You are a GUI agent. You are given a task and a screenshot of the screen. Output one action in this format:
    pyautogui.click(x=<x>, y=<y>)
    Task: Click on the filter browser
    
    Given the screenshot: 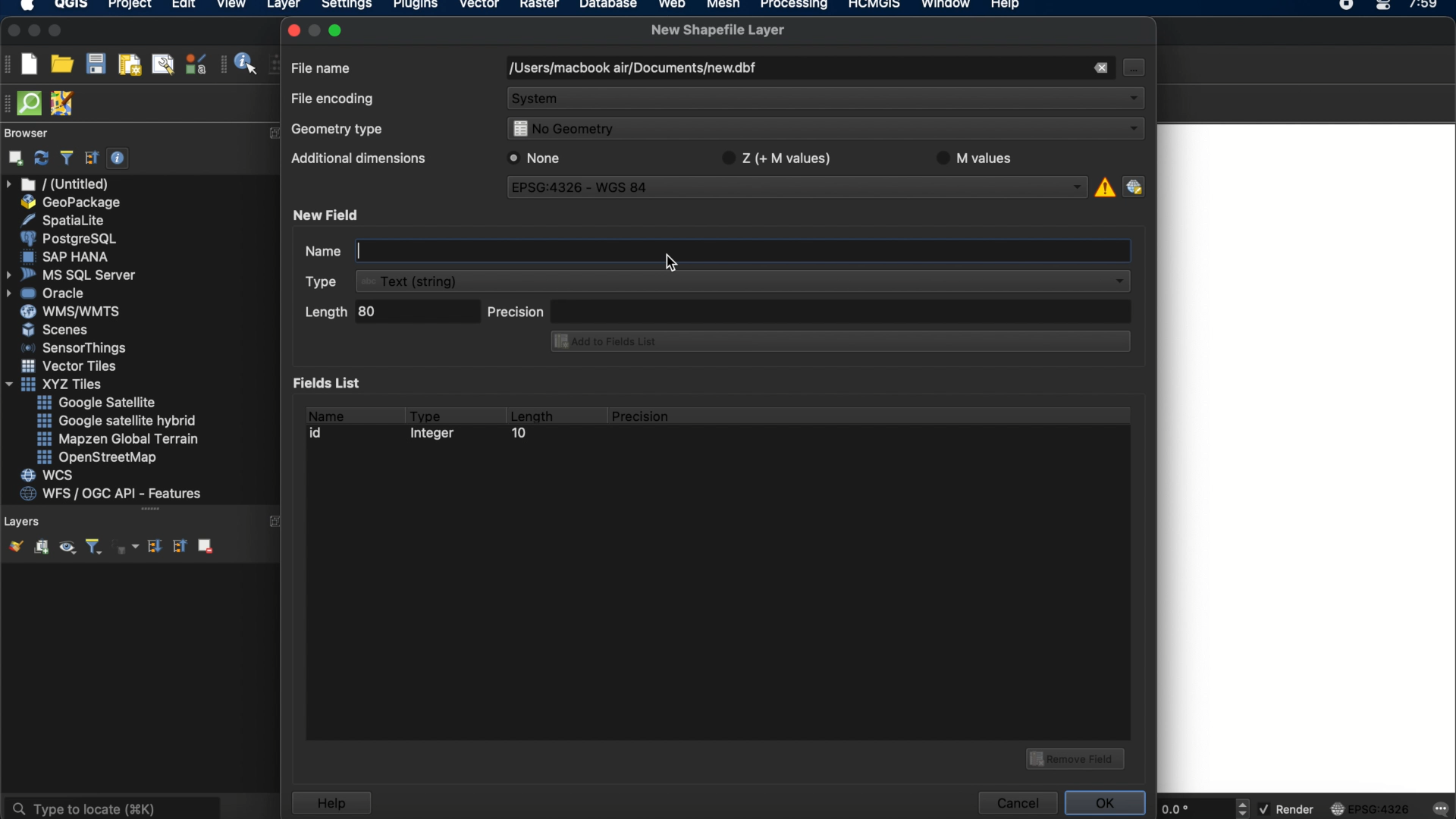 What is the action you would take?
    pyautogui.click(x=66, y=158)
    